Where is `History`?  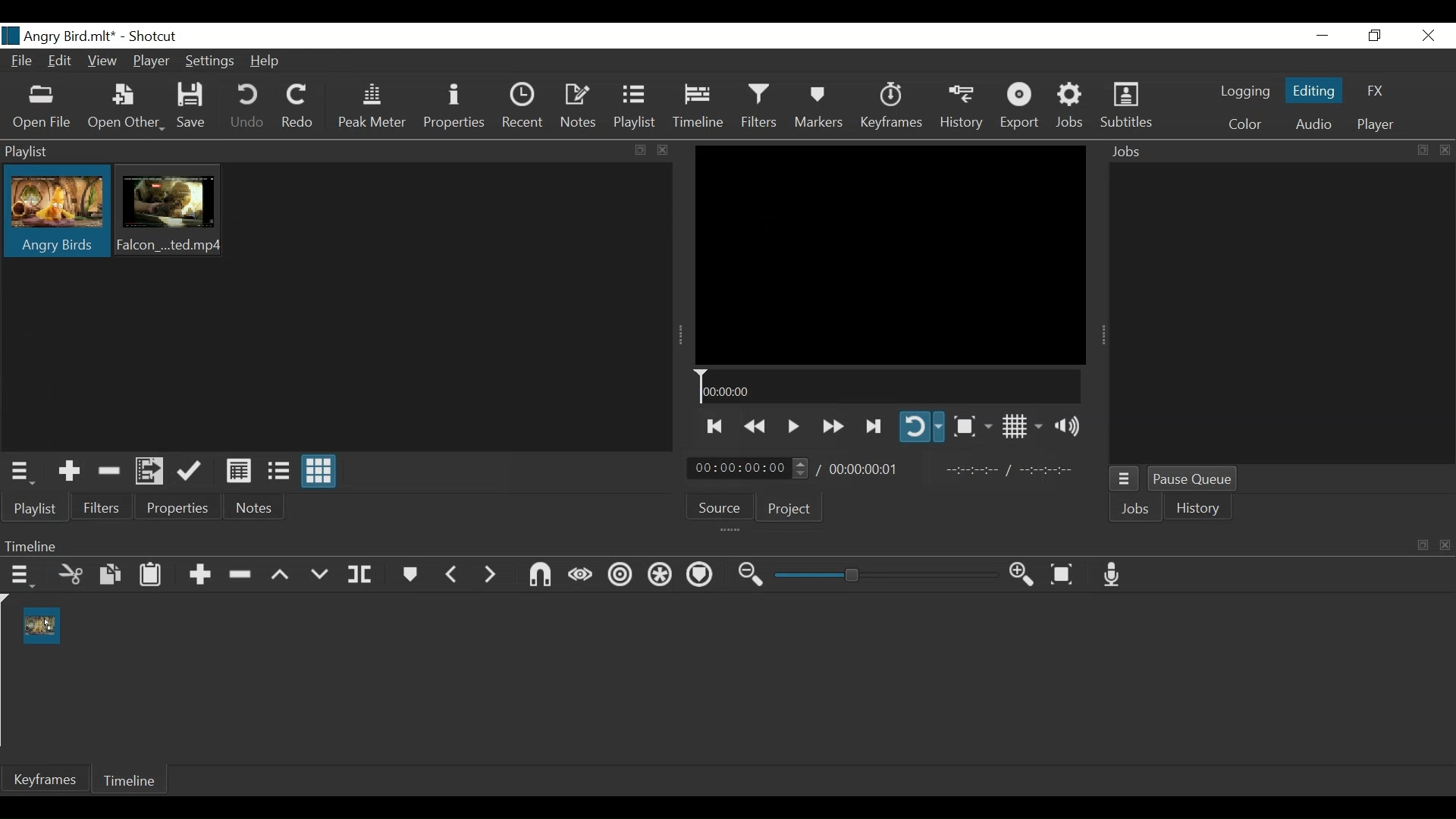 History is located at coordinates (1202, 510).